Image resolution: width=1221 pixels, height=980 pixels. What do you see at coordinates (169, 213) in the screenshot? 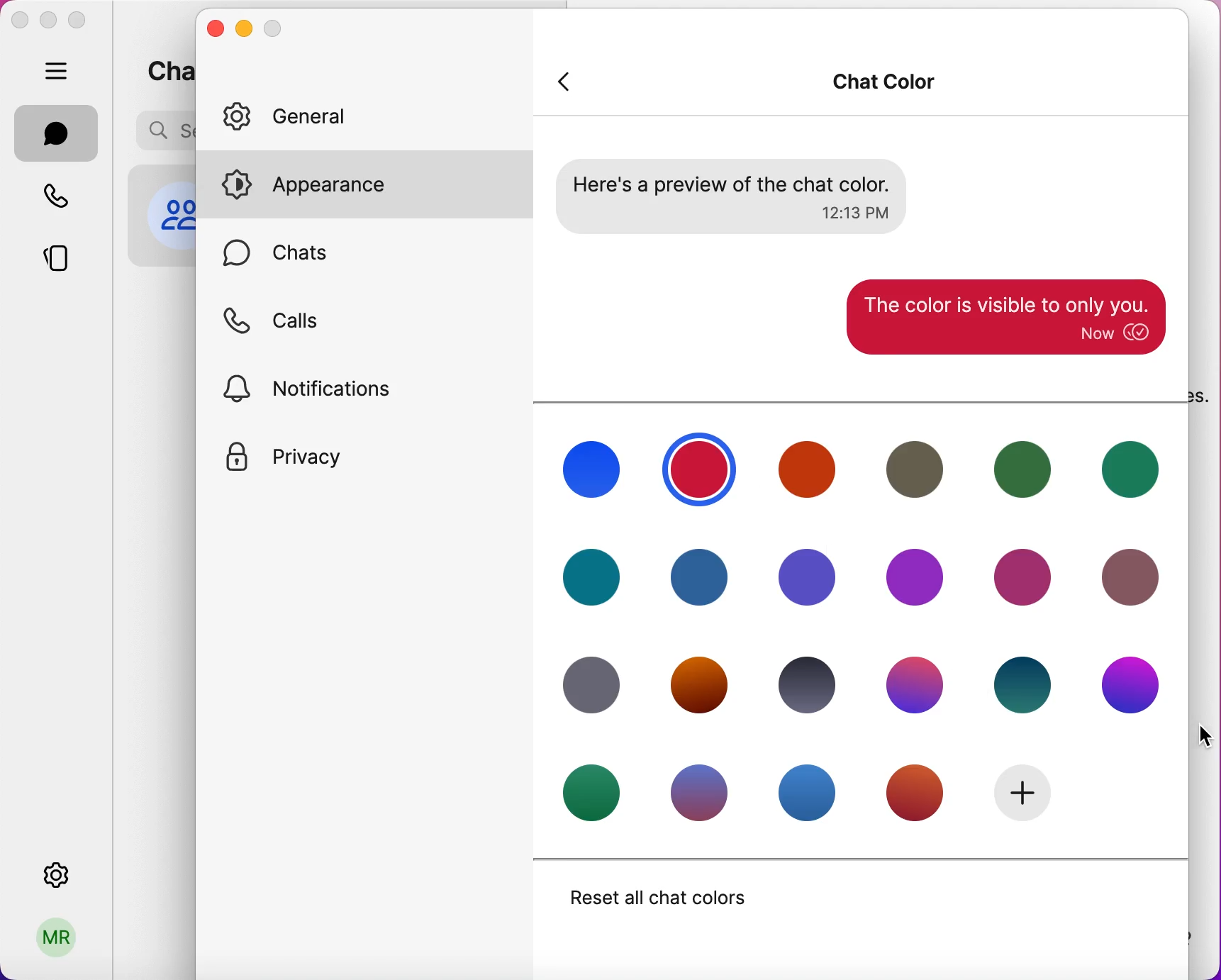
I see `profile picture` at bounding box center [169, 213].